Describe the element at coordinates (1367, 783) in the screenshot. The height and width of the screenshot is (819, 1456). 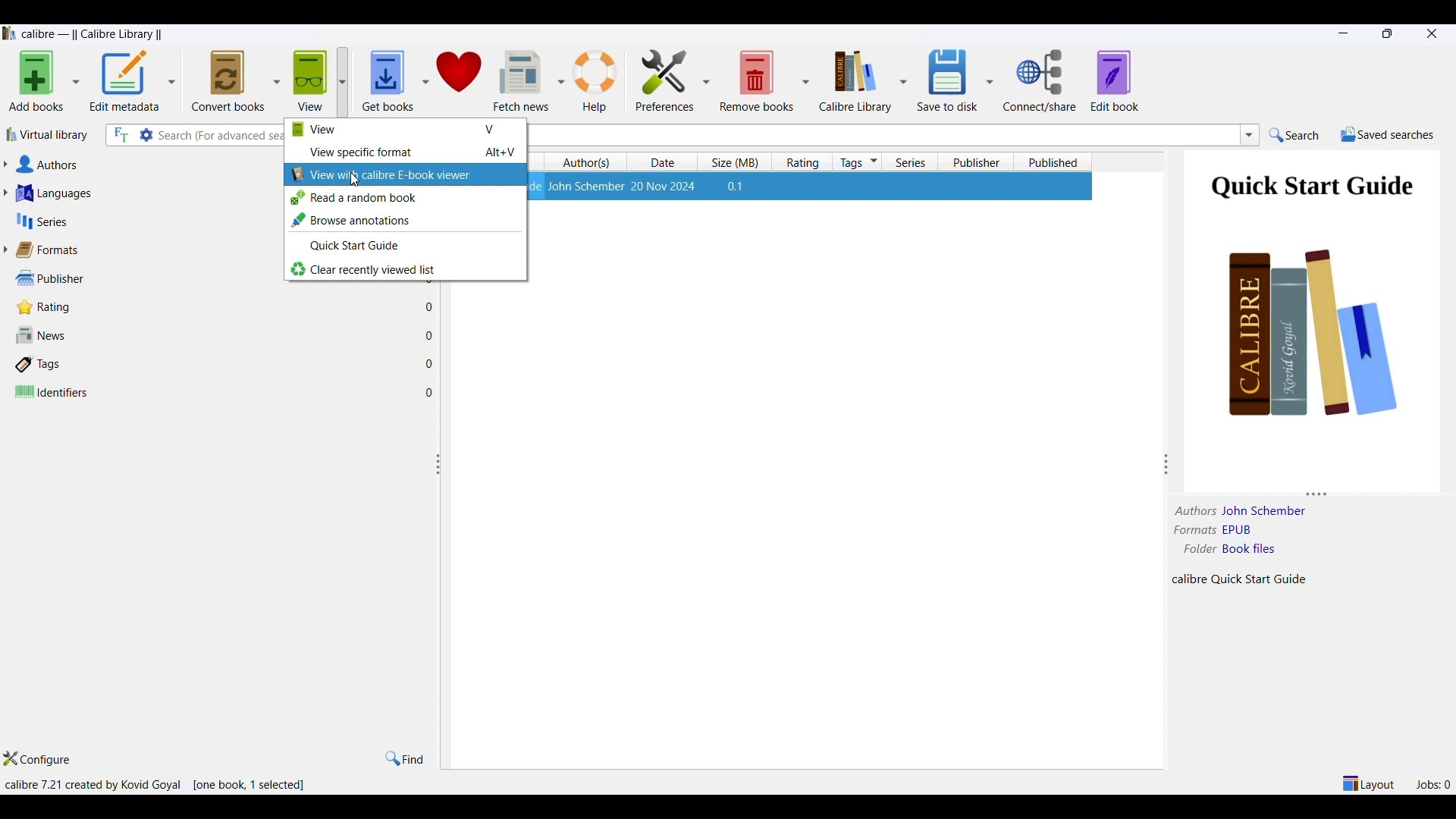
I see `layout` at that location.